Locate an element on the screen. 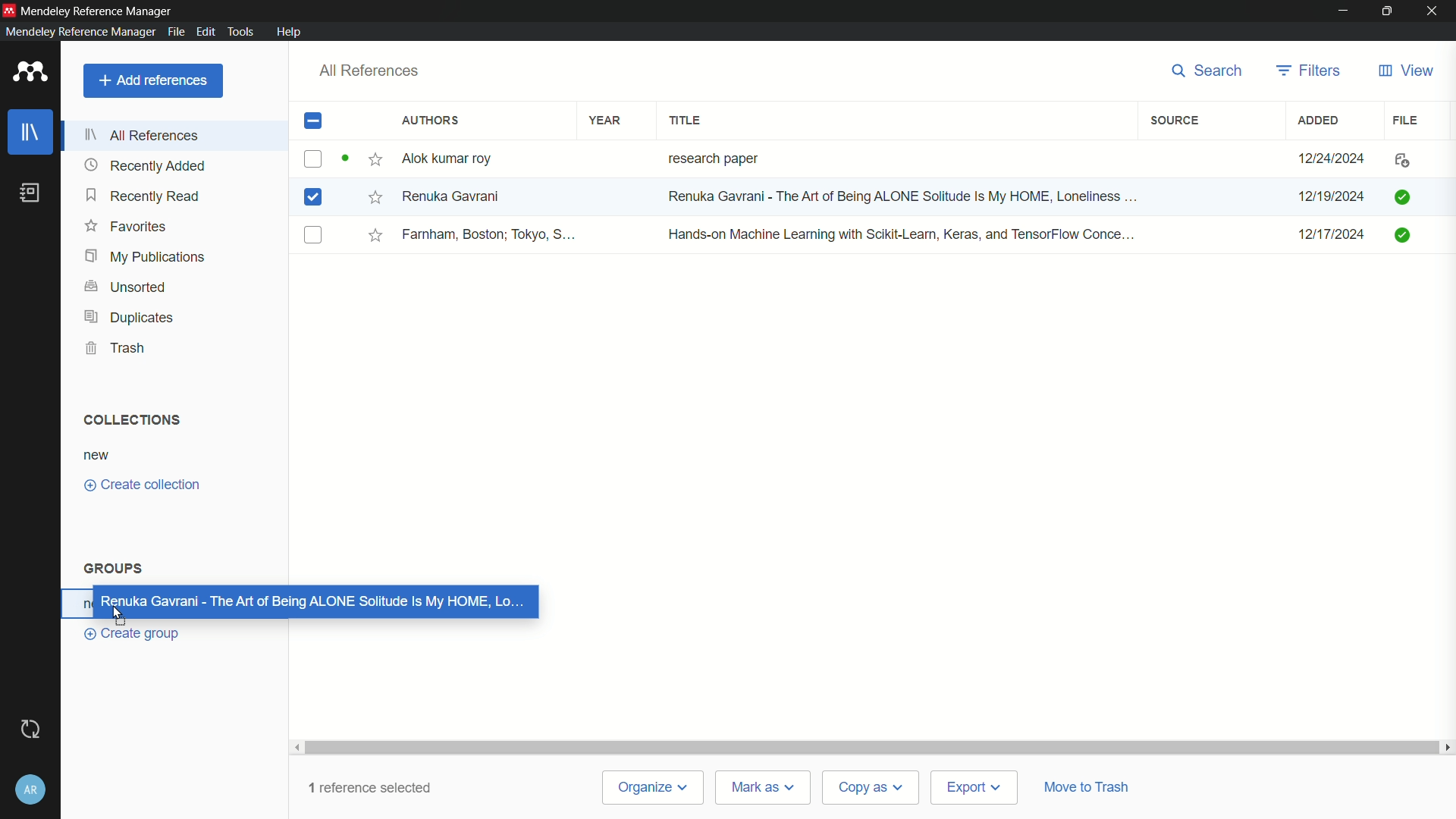 The height and width of the screenshot is (819, 1456). Alok Kumar Rou is located at coordinates (452, 160).